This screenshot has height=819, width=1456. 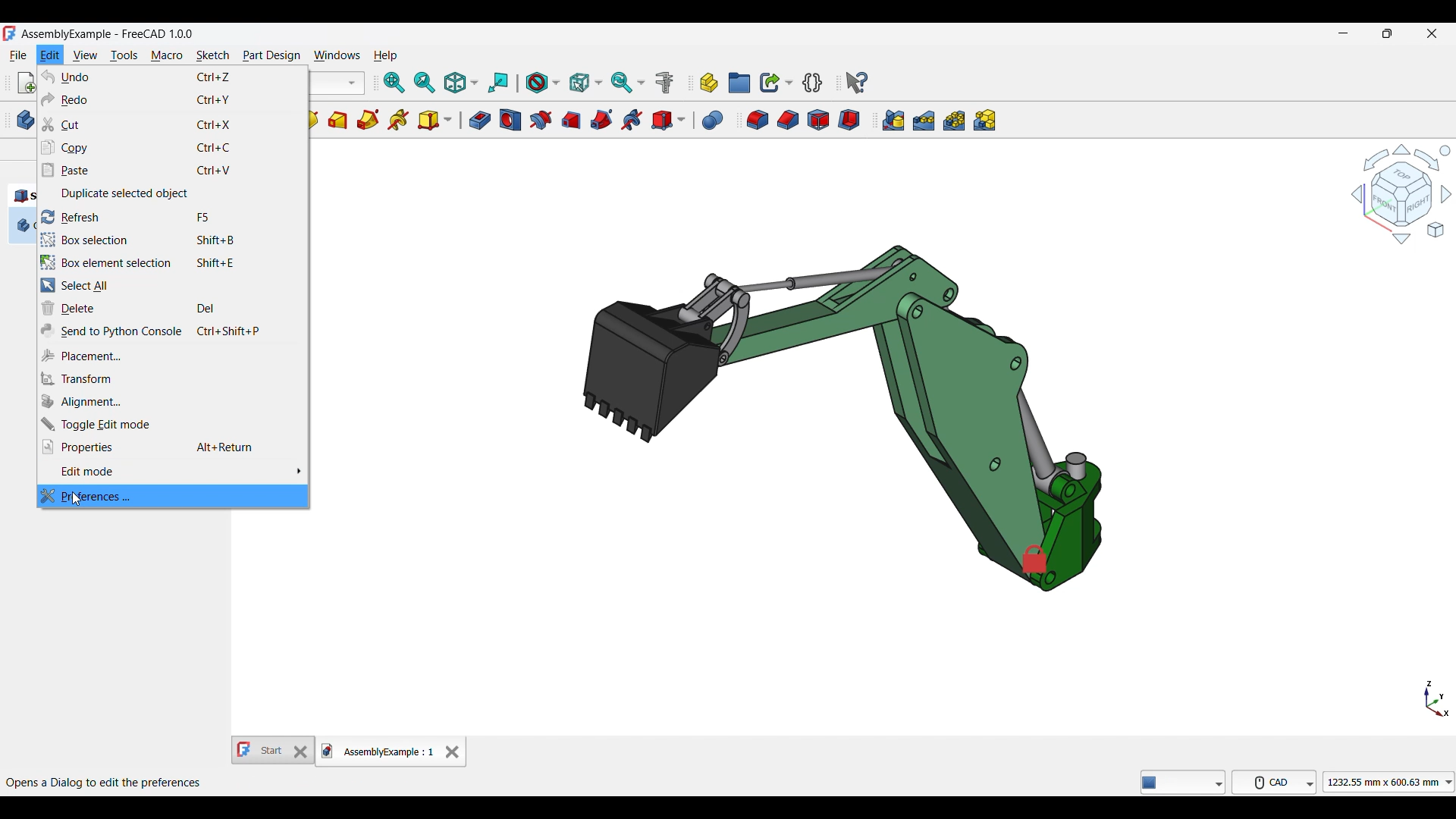 I want to click on Show in smaller tab, so click(x=1388, y=33).